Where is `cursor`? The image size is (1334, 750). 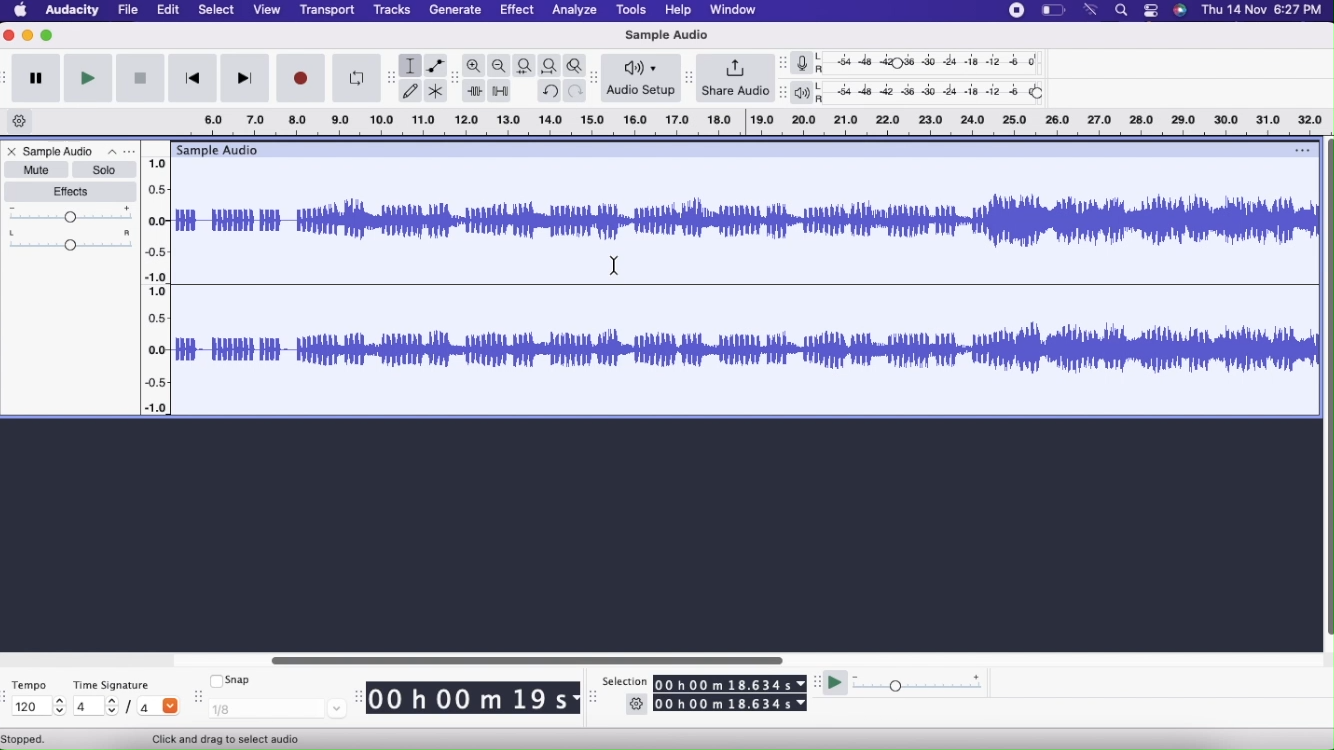
cursor is located at coordinates (619, 264).